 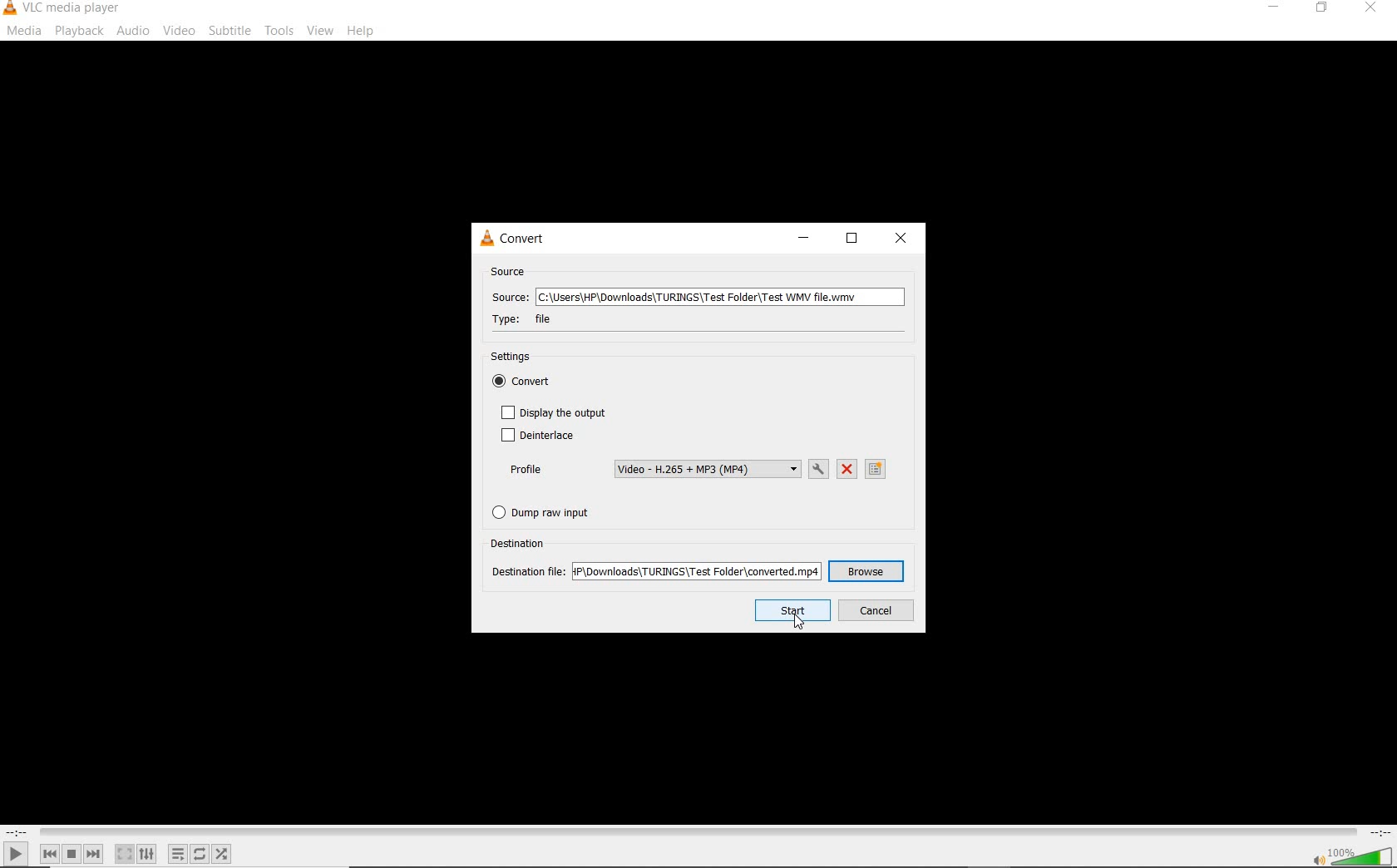 What do you see at coordinates (792, 611) in the screenshot?
I see `start` at bounding box center [792, 611].